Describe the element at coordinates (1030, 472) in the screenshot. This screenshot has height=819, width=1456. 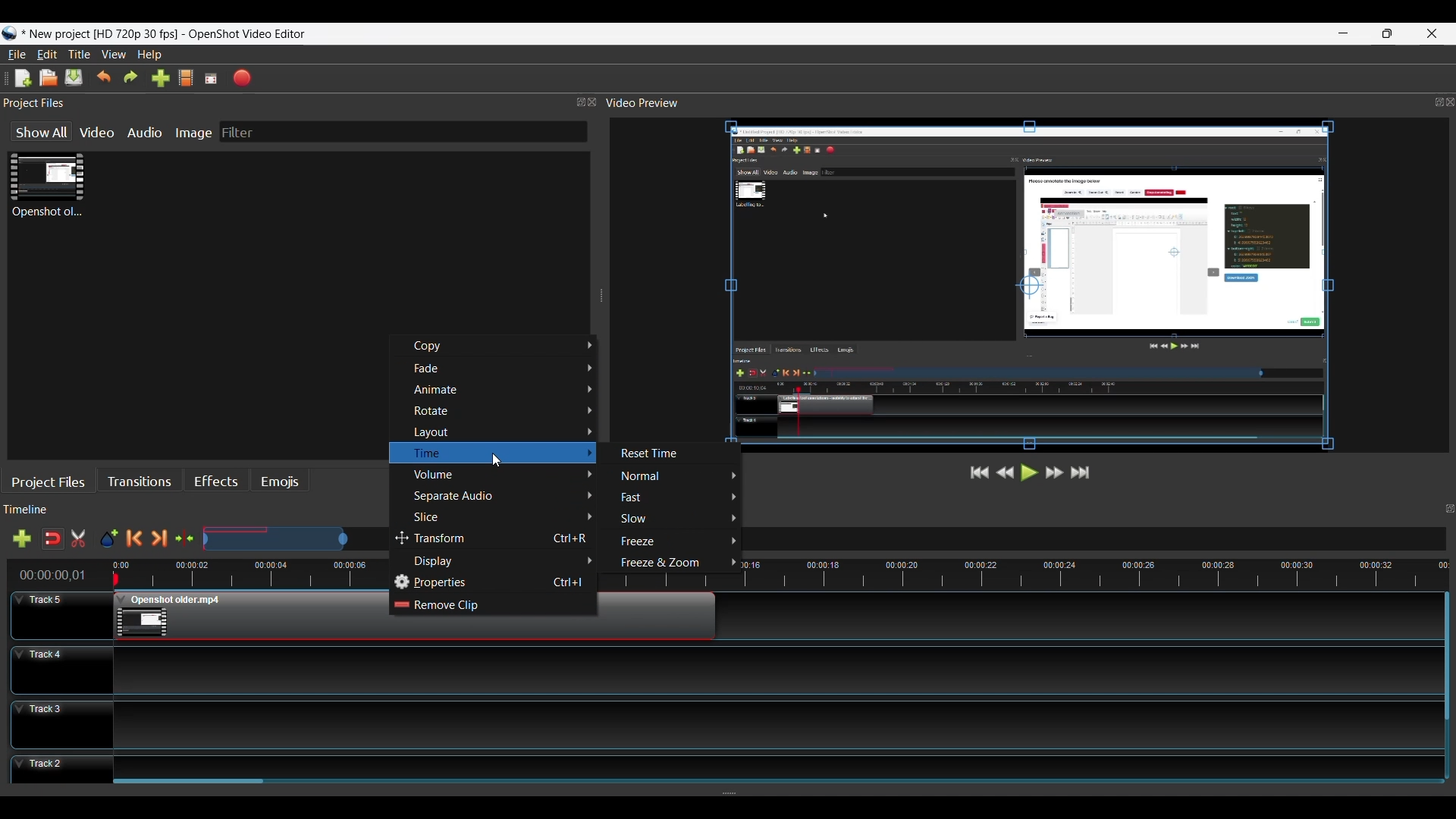
I see `Play` at that location.